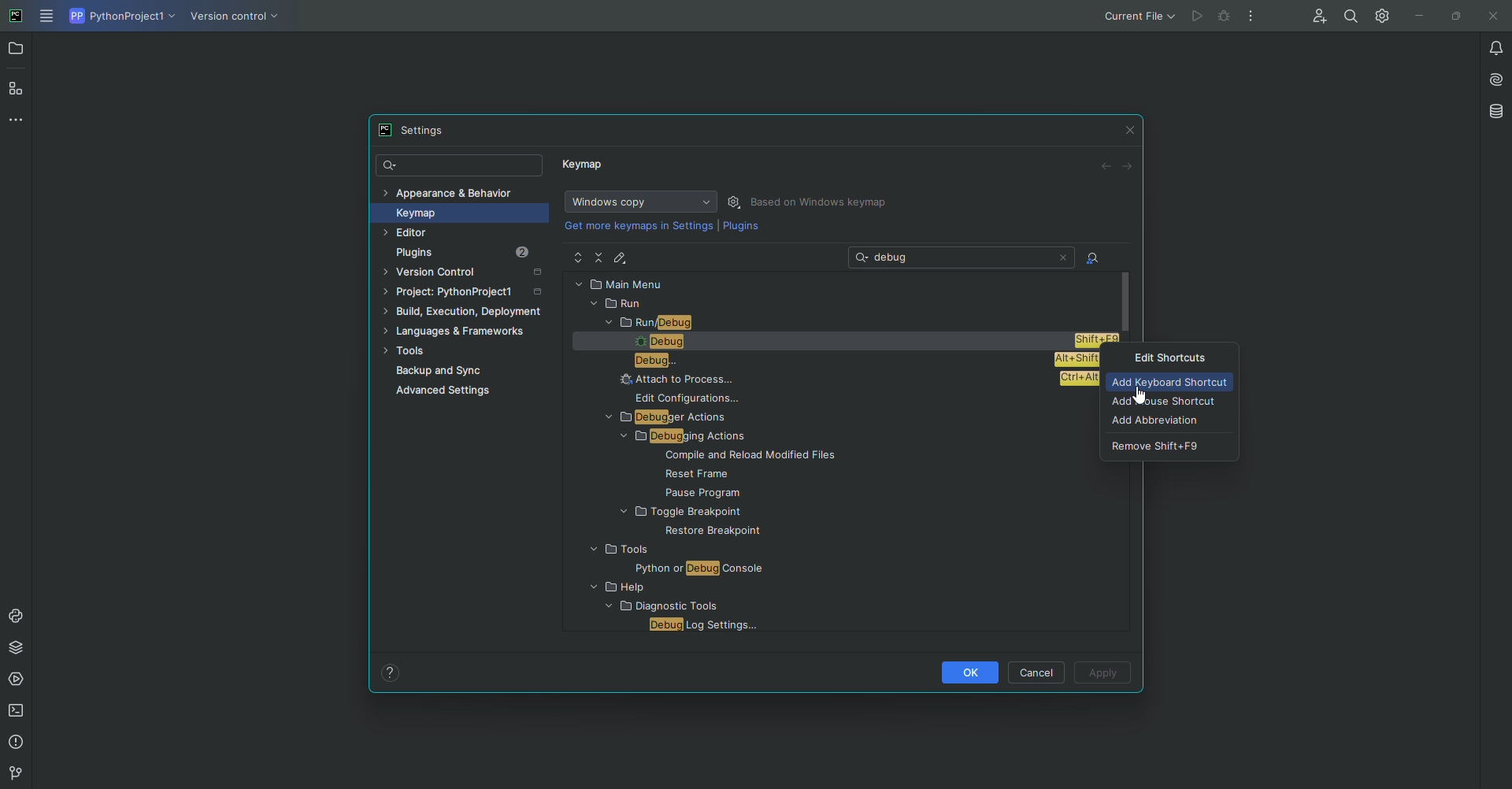 Image resolution: width=1512 pixels, height=789 pixels. Describe the element at coordinates (678, 588) in the screenshot. I see `FOLDER NAME` at that location.